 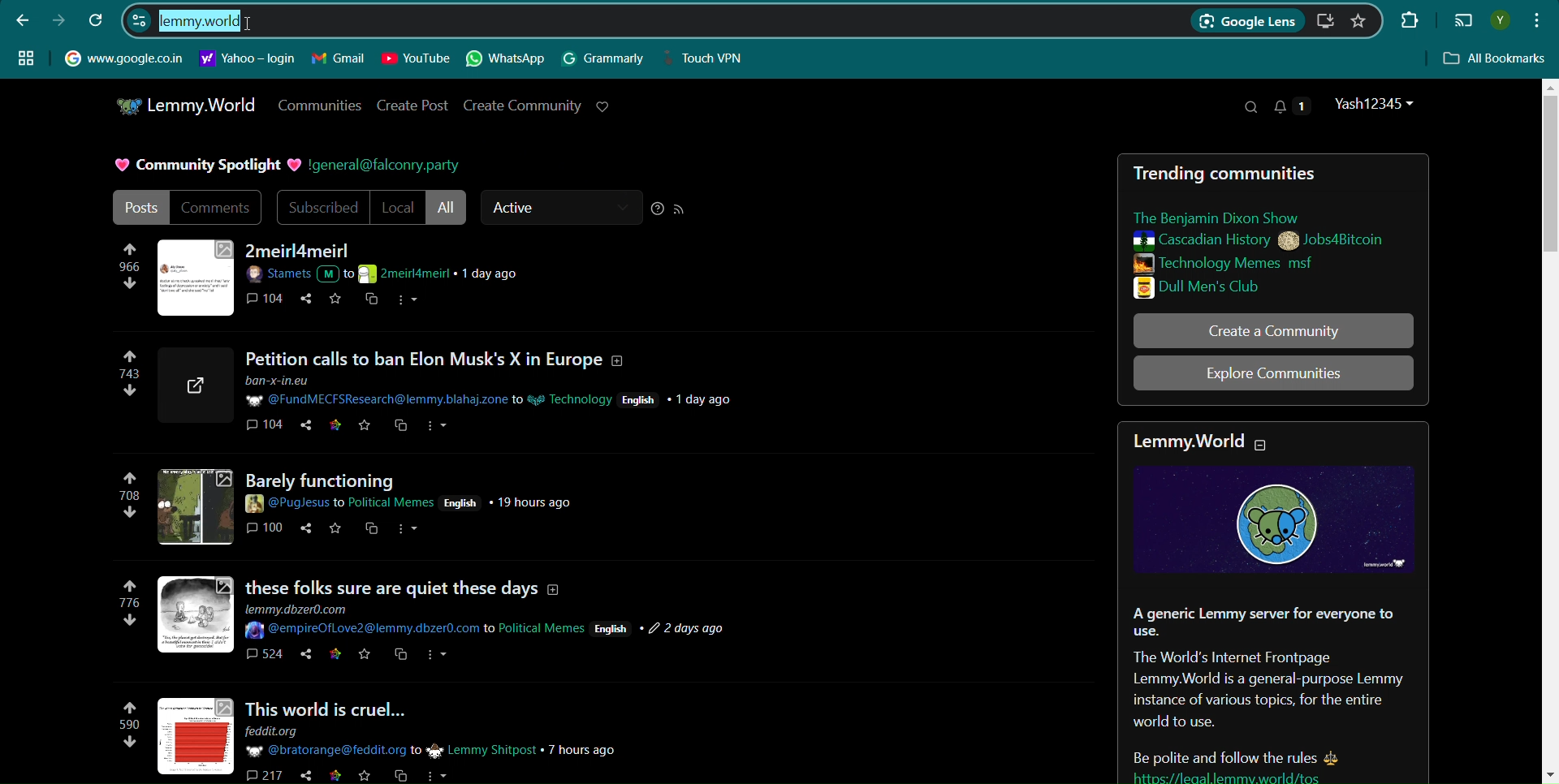 What do you see at coordinates (401, 658) in the screenshot?
I see `copy` at bounding box center [401, 658].